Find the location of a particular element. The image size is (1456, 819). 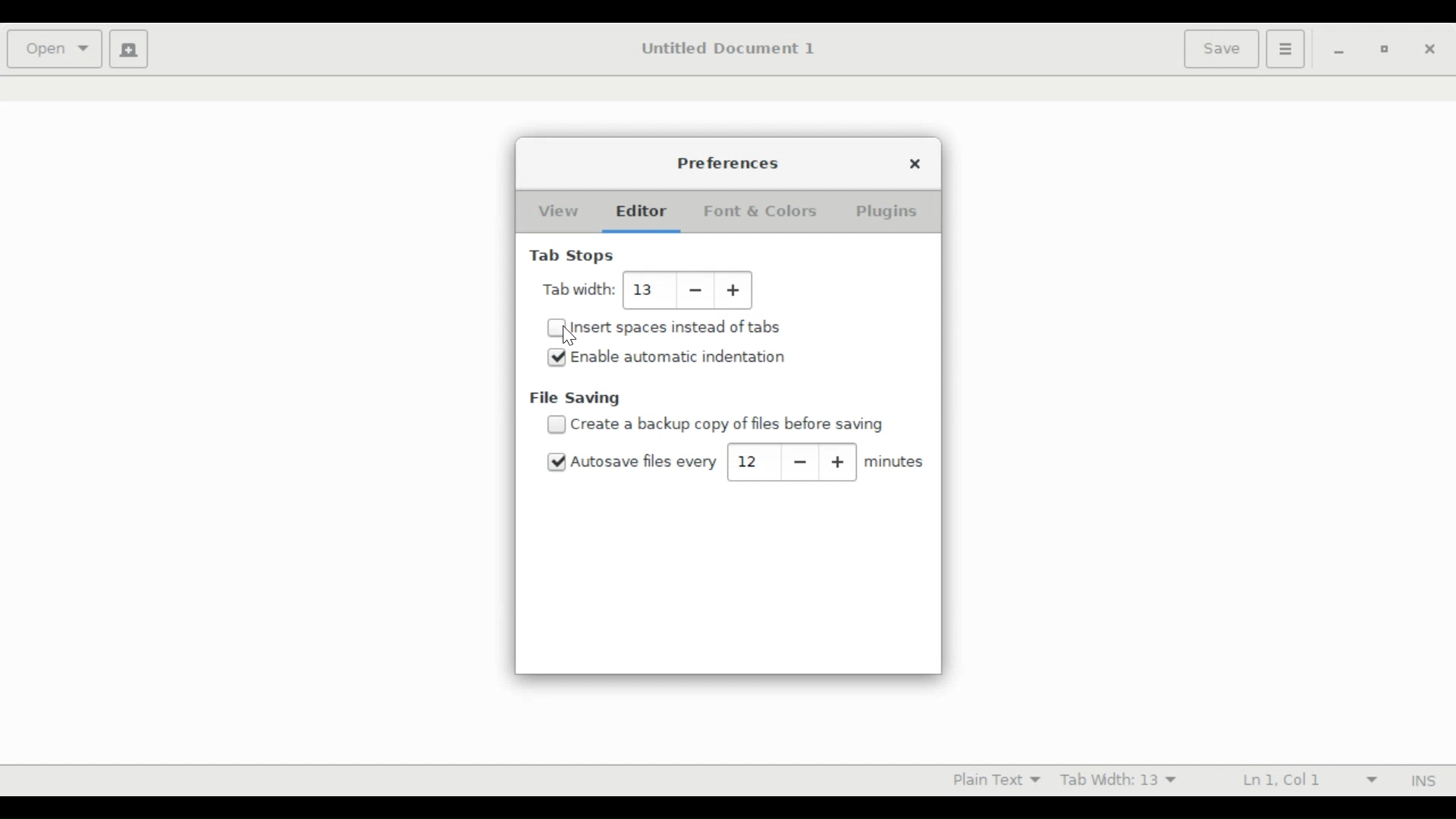

minutes is located at coordinates (895, 462).